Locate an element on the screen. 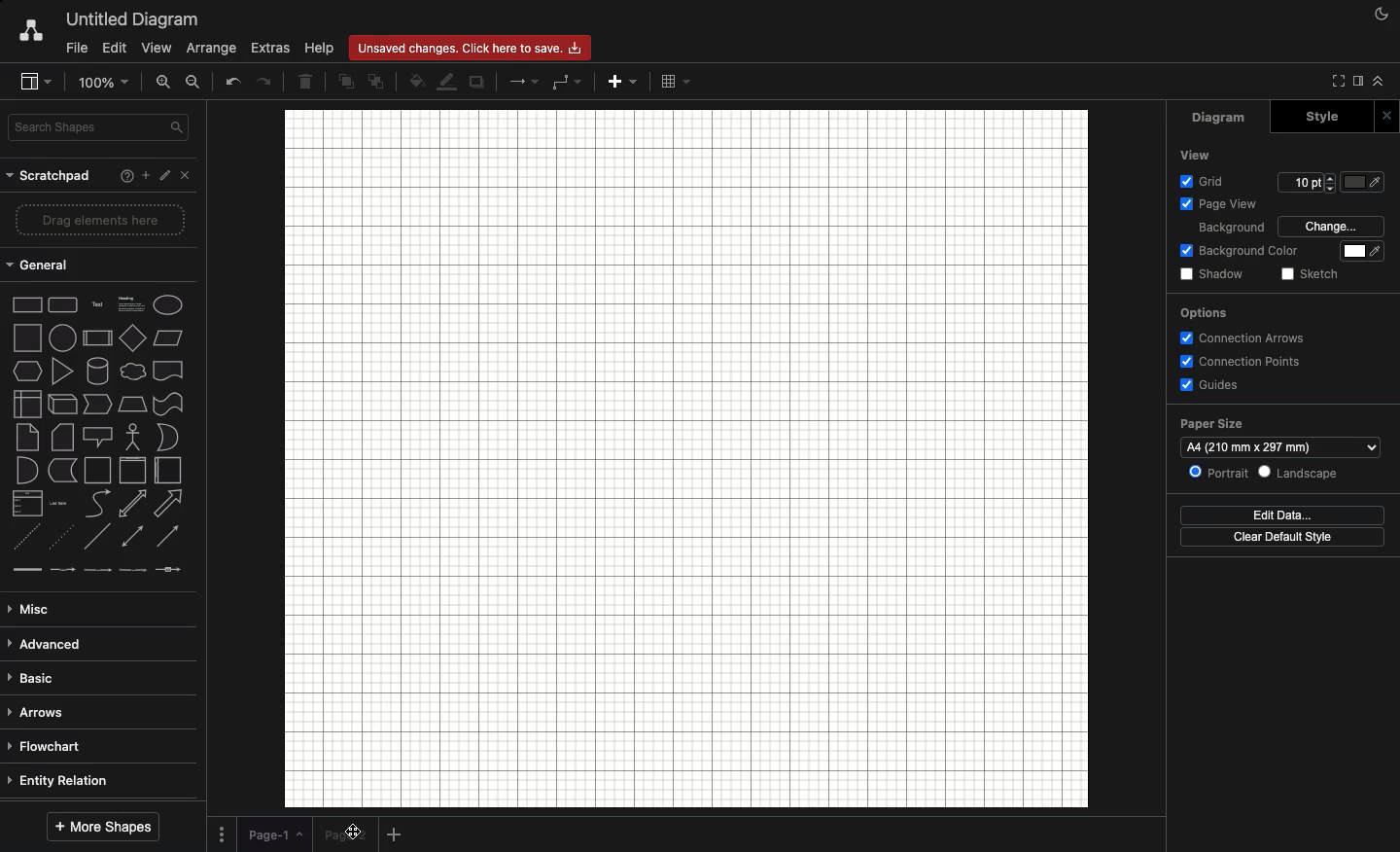 The height and width of the screenshot is (852, 1400). Grid is located at coordinates (1201, 182).